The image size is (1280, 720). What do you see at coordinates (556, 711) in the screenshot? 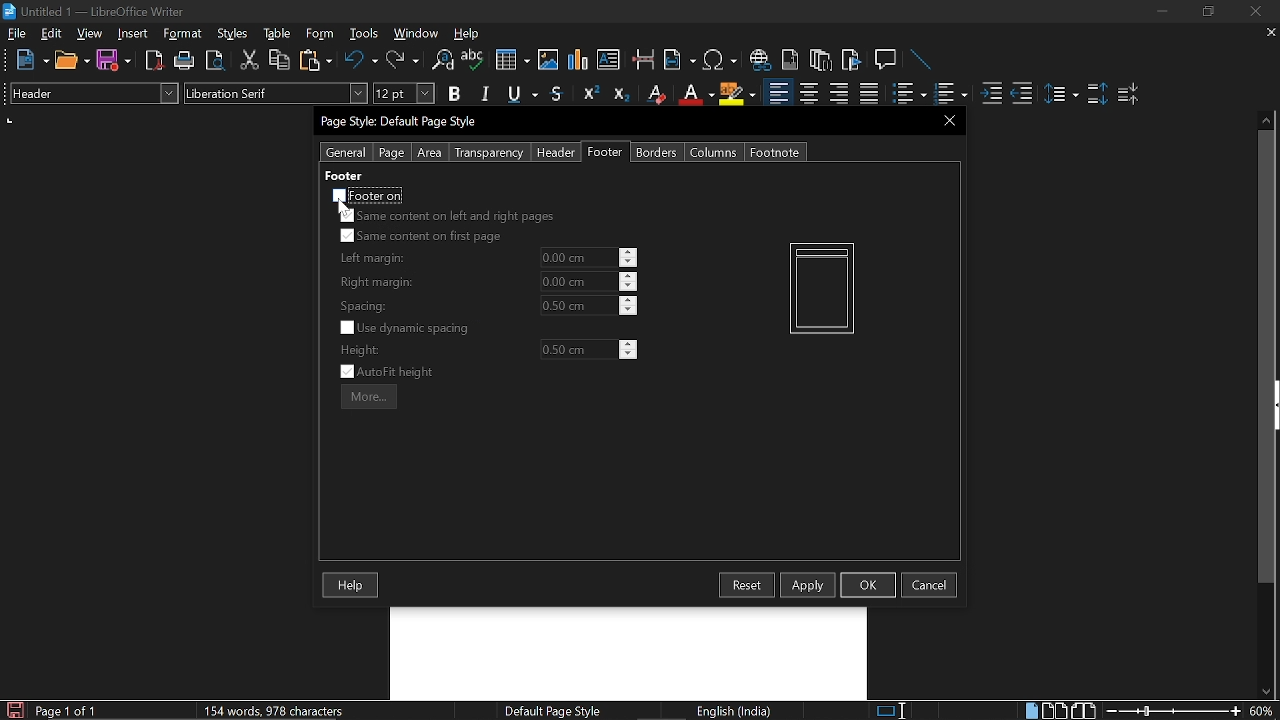
I see `page style Page style` at bounding box center [556, 711].